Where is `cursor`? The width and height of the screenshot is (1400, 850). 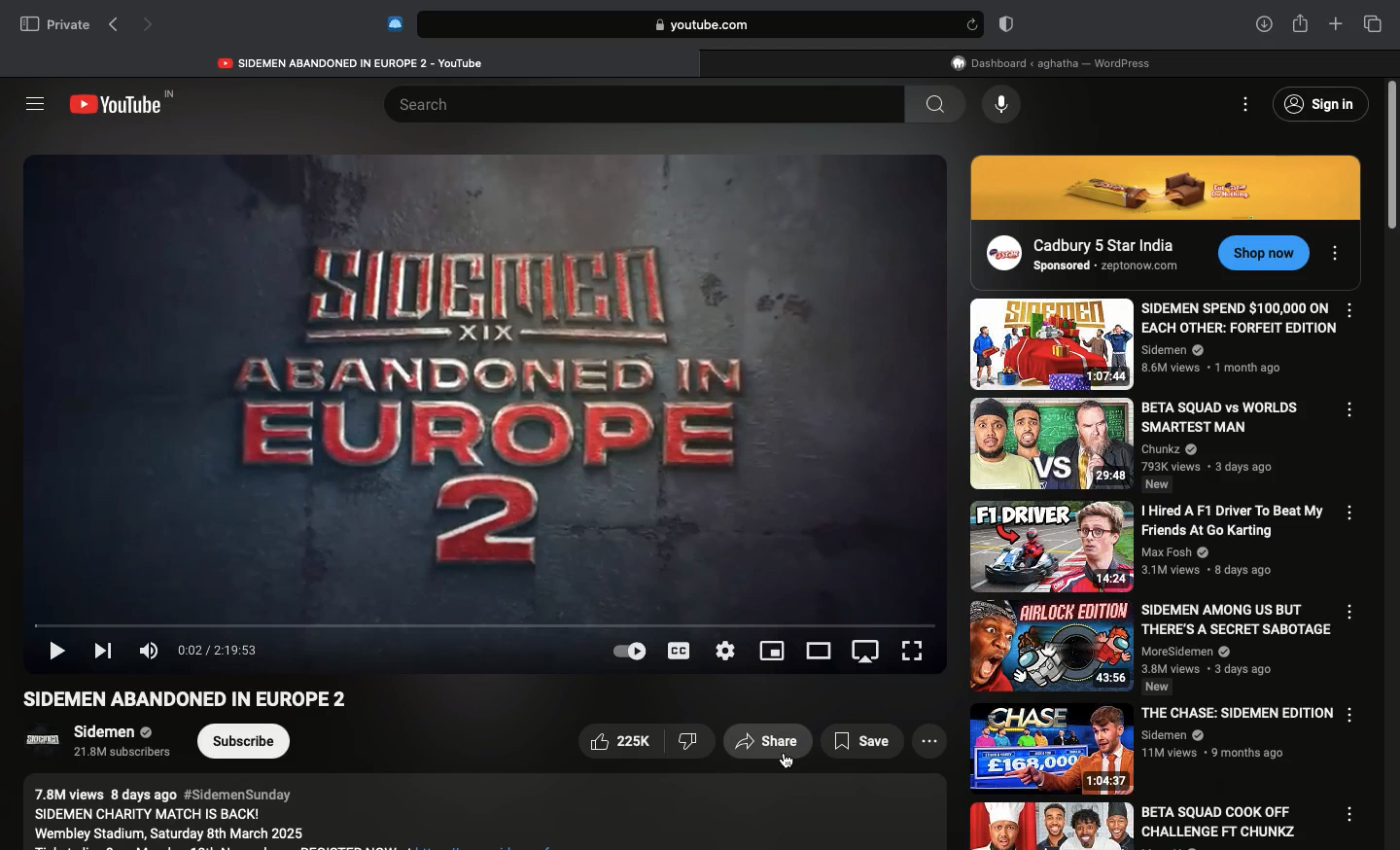 cursor is located at coordinates (787, 763).